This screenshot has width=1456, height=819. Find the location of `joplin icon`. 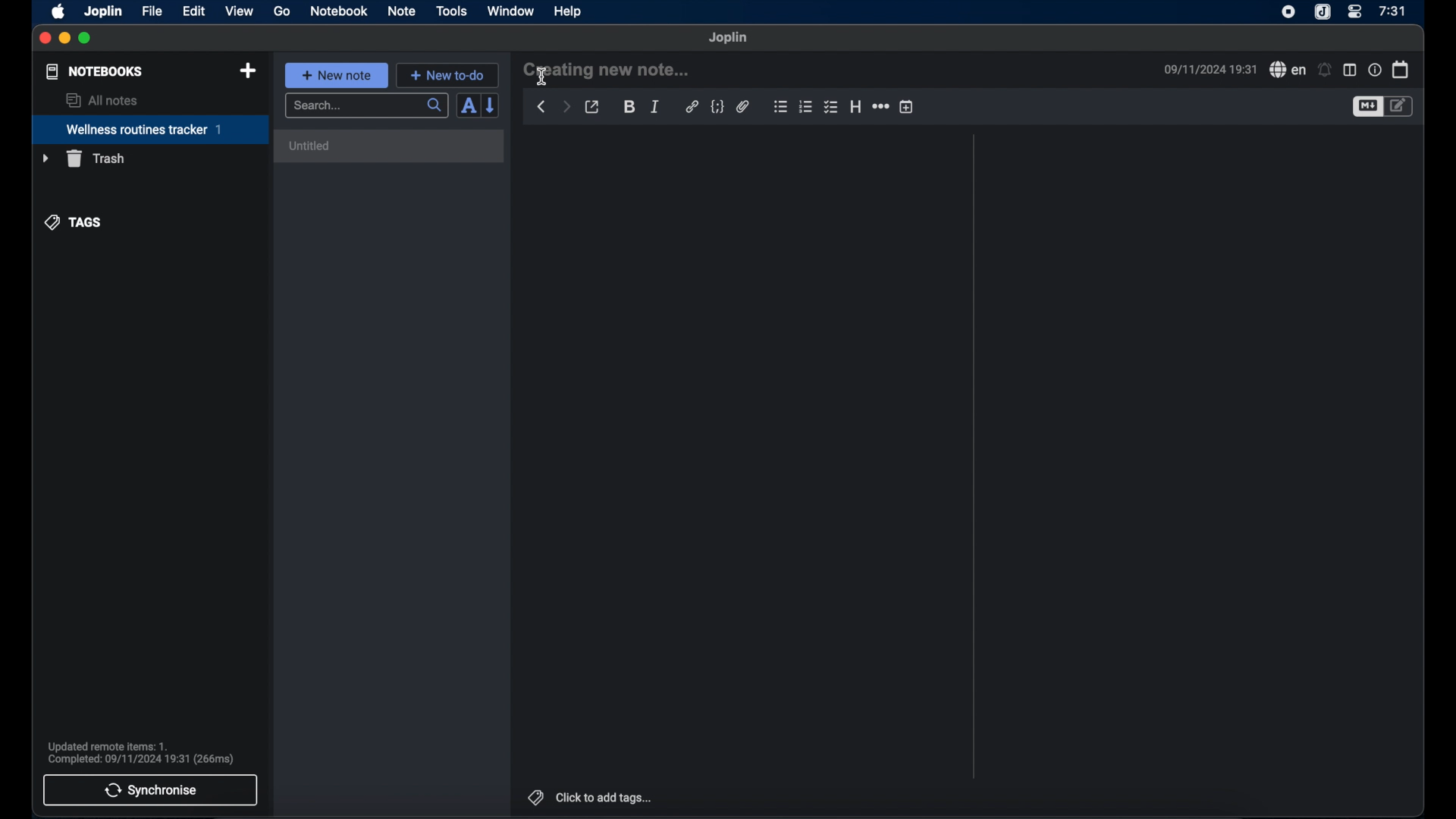

joplin icon is located at coordinates (1323, 12).